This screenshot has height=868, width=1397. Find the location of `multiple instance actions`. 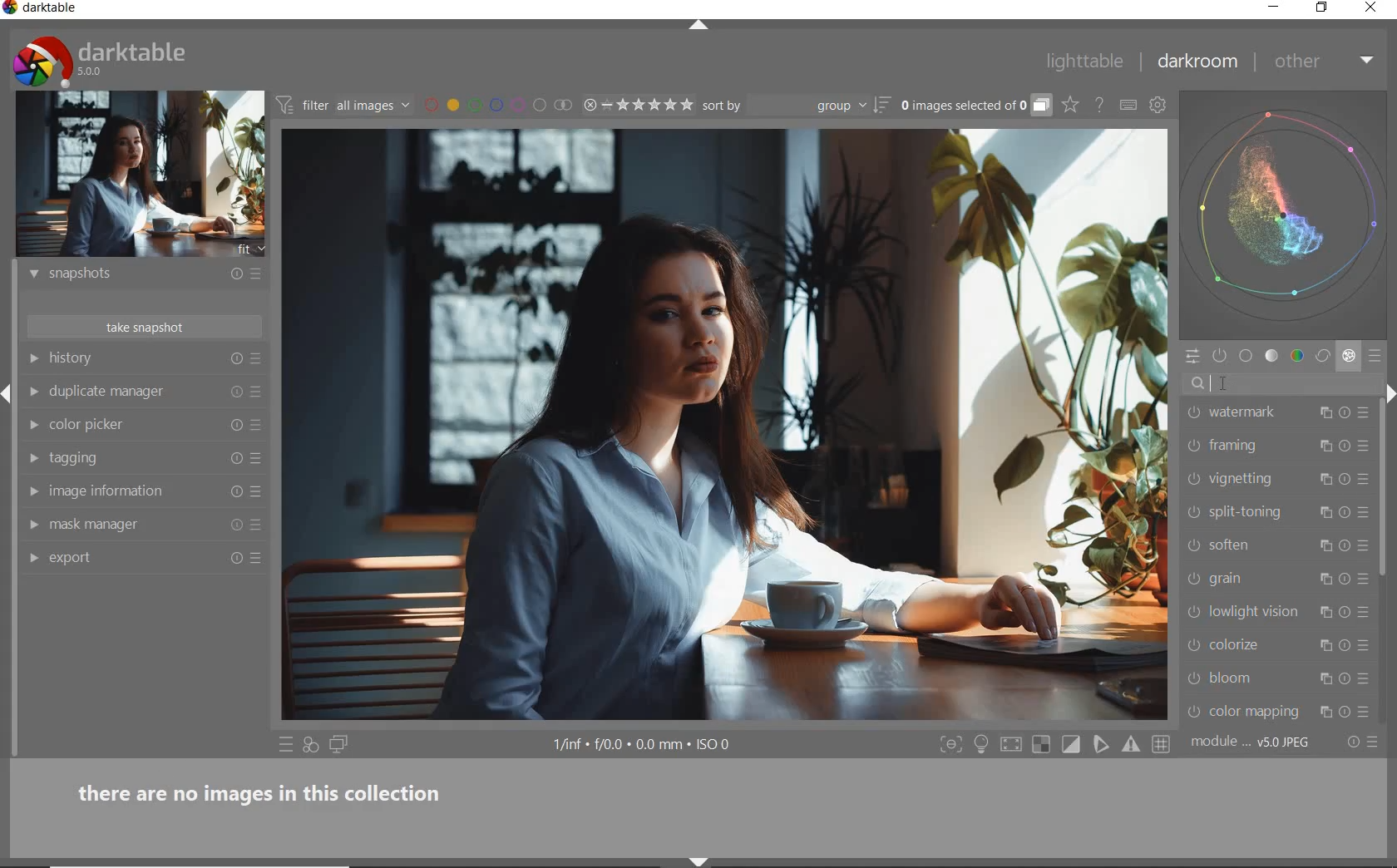

multiple instance actions is located at coordinates (1324, 413).